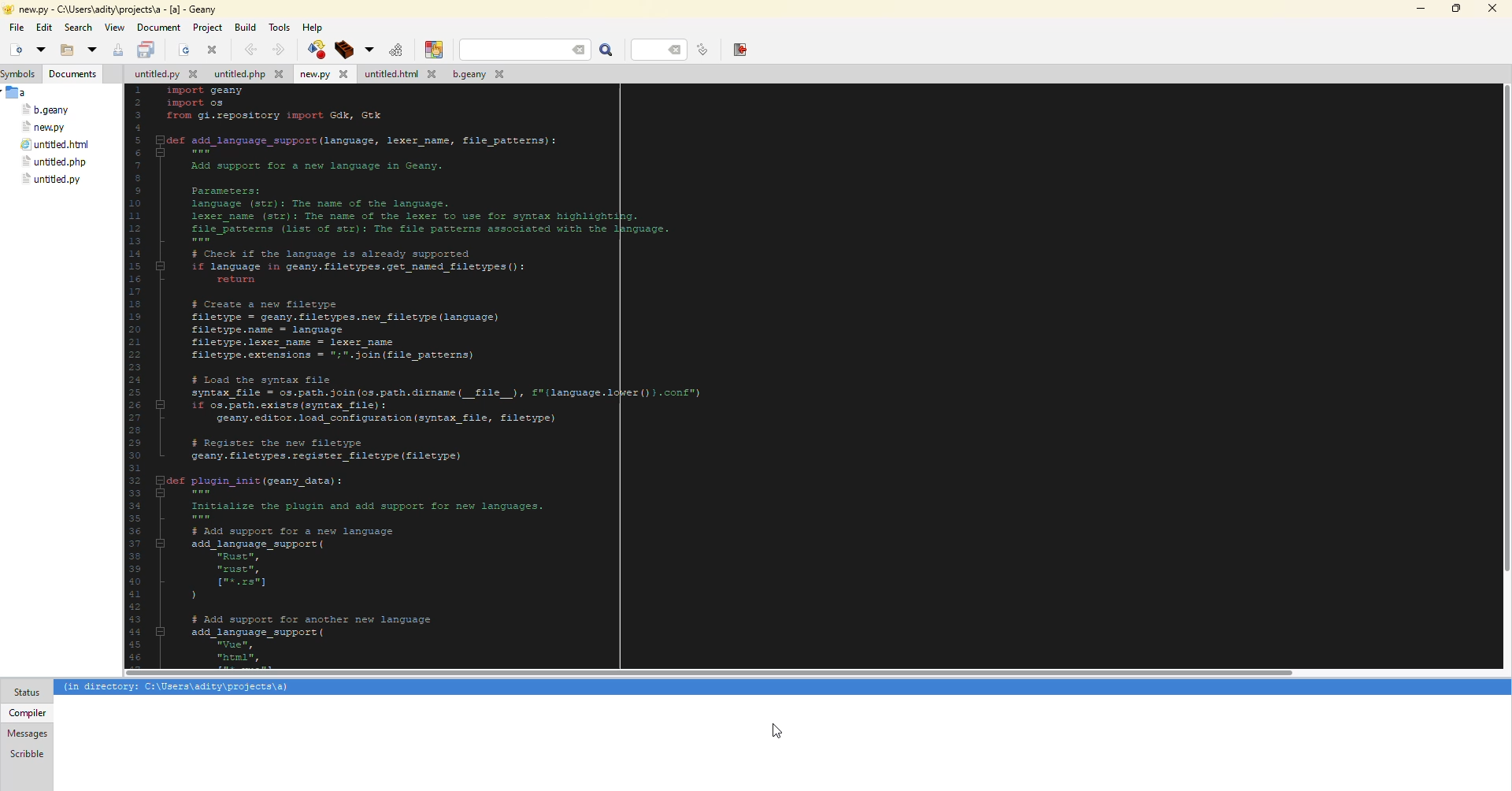  I want to click on search, so click(78, 28).